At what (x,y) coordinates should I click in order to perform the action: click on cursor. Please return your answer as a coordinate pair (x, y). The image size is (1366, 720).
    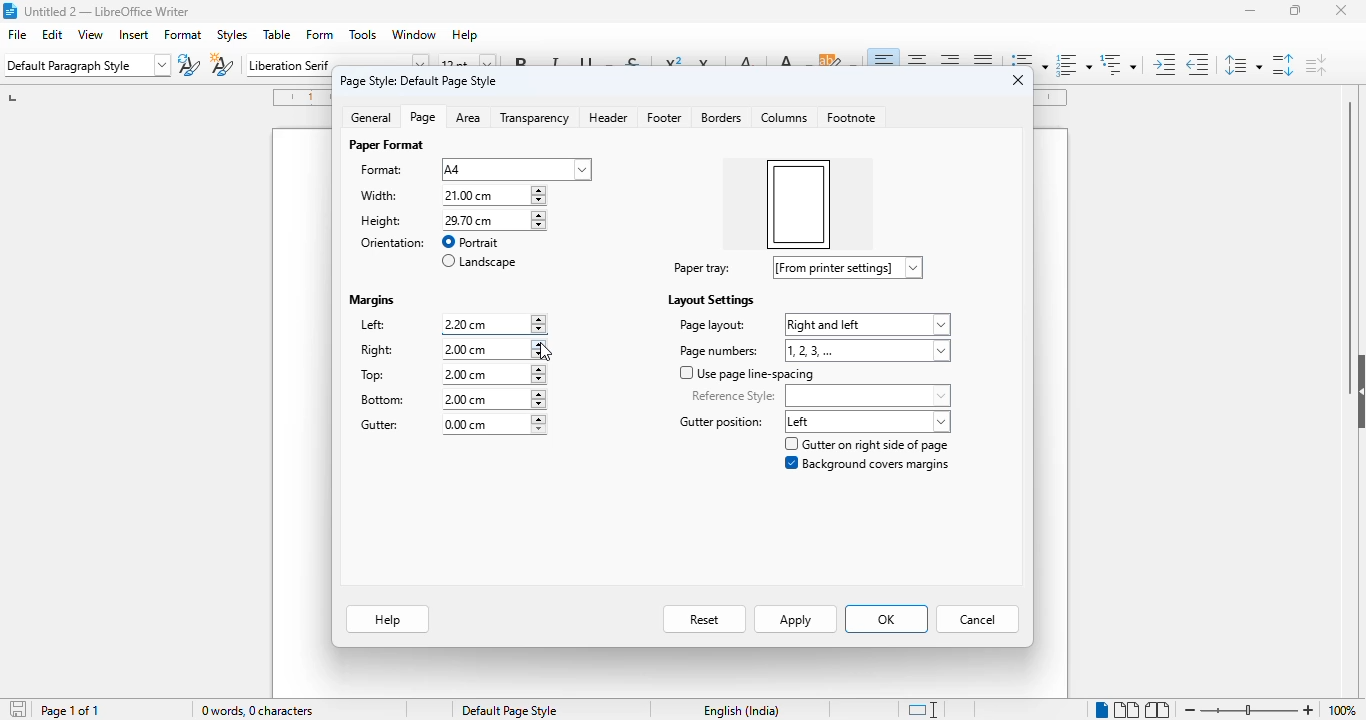
    Looking at the image, I should click on (547, 352).